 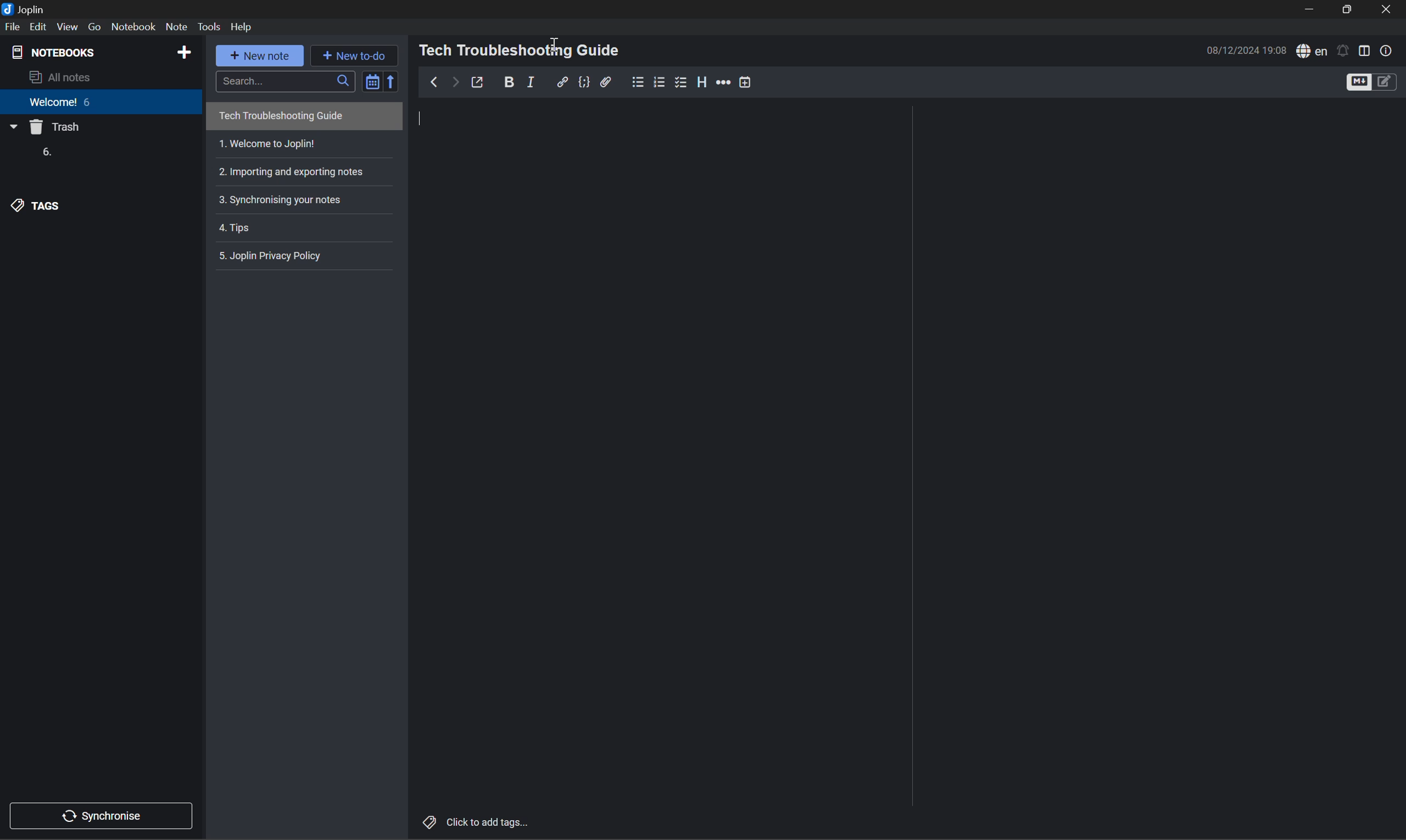 I want to click on Back, so click(x=431, y=82).